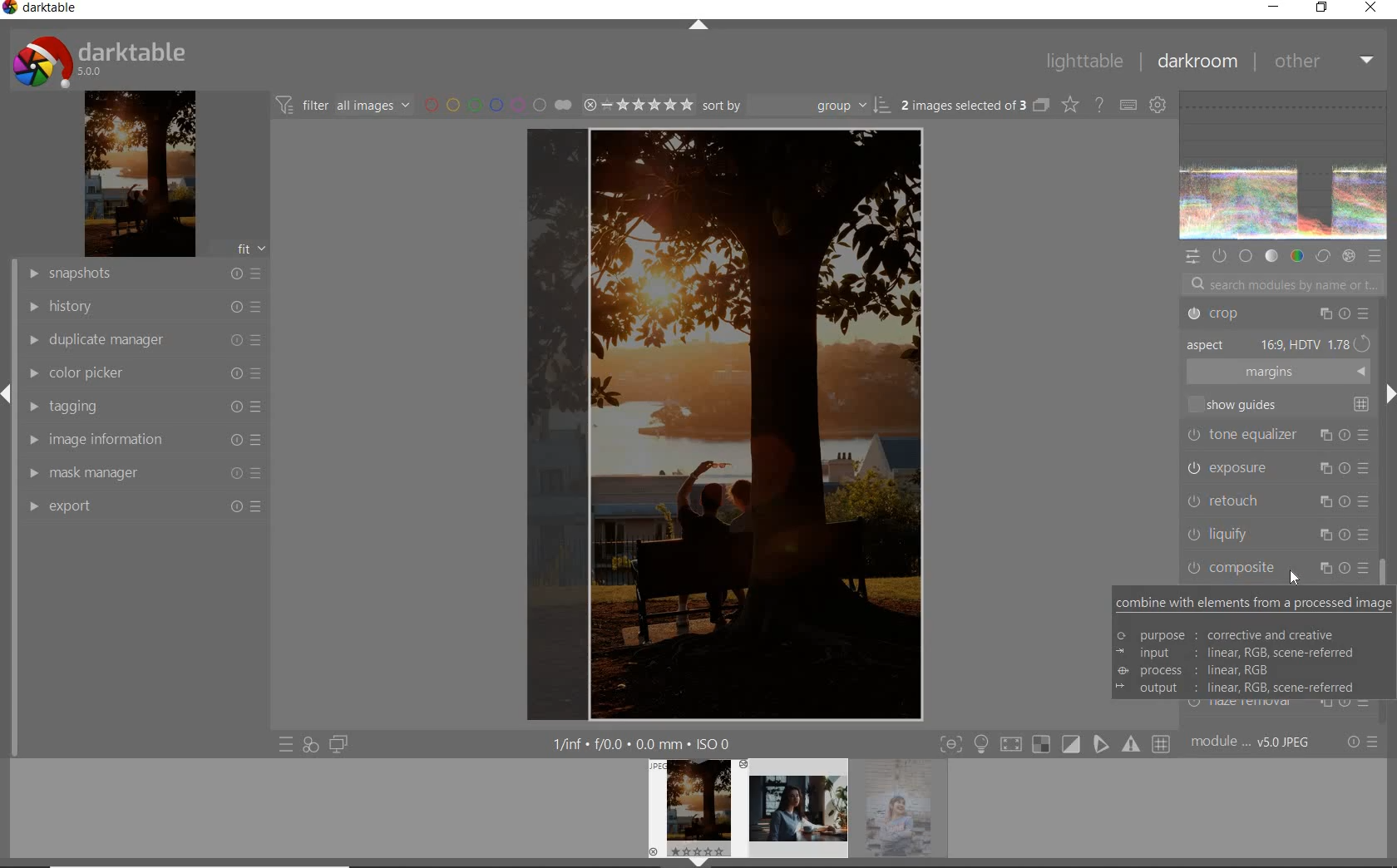 The height and width of the screenshot is (868, 1397). What do you see at coordinates (343, 106) in the screenshot?
I see `filter images` at bounding box center [343, 106].